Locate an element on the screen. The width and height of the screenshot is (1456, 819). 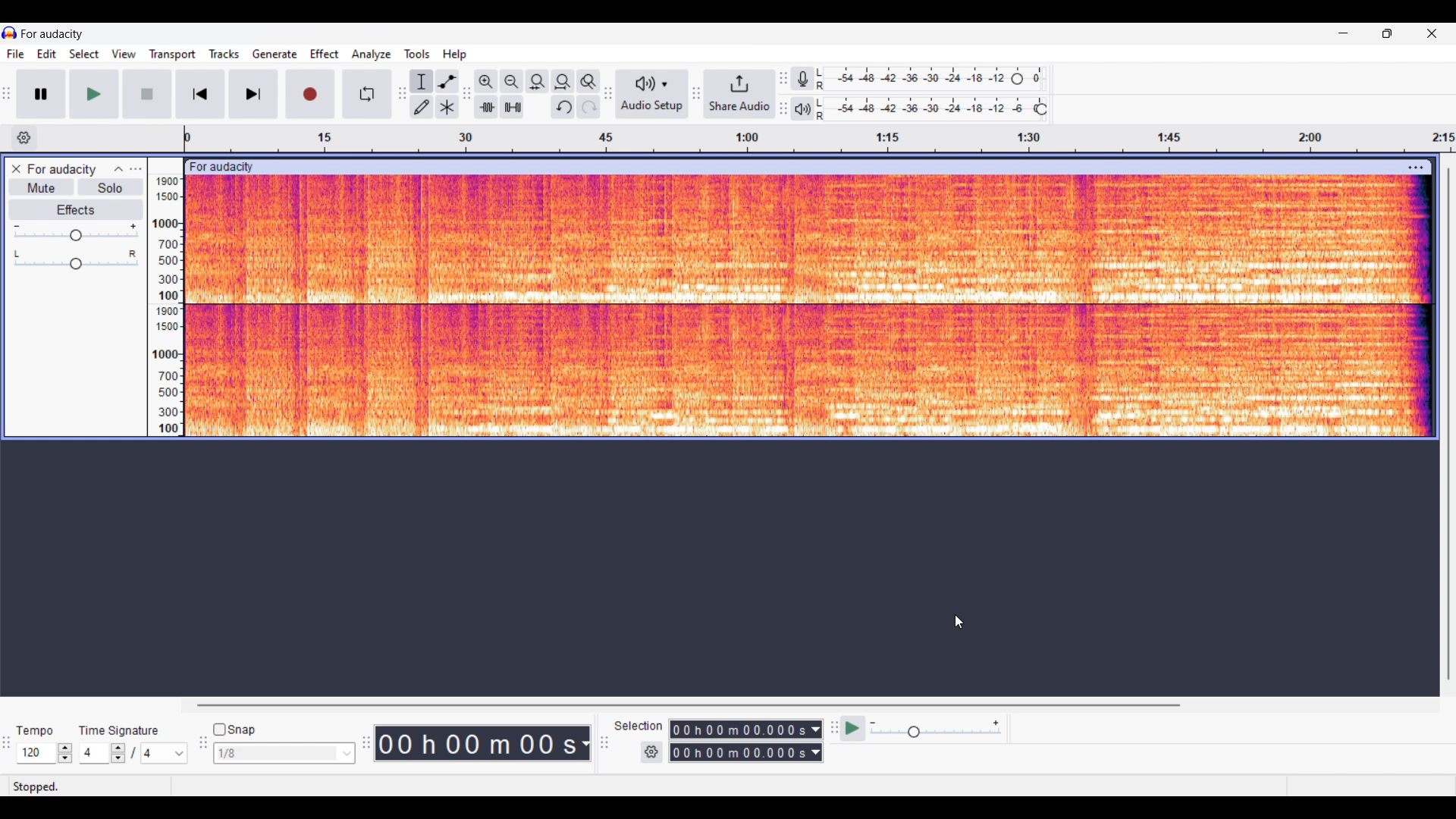
Play/Play once is located at coordinates (94, 94).